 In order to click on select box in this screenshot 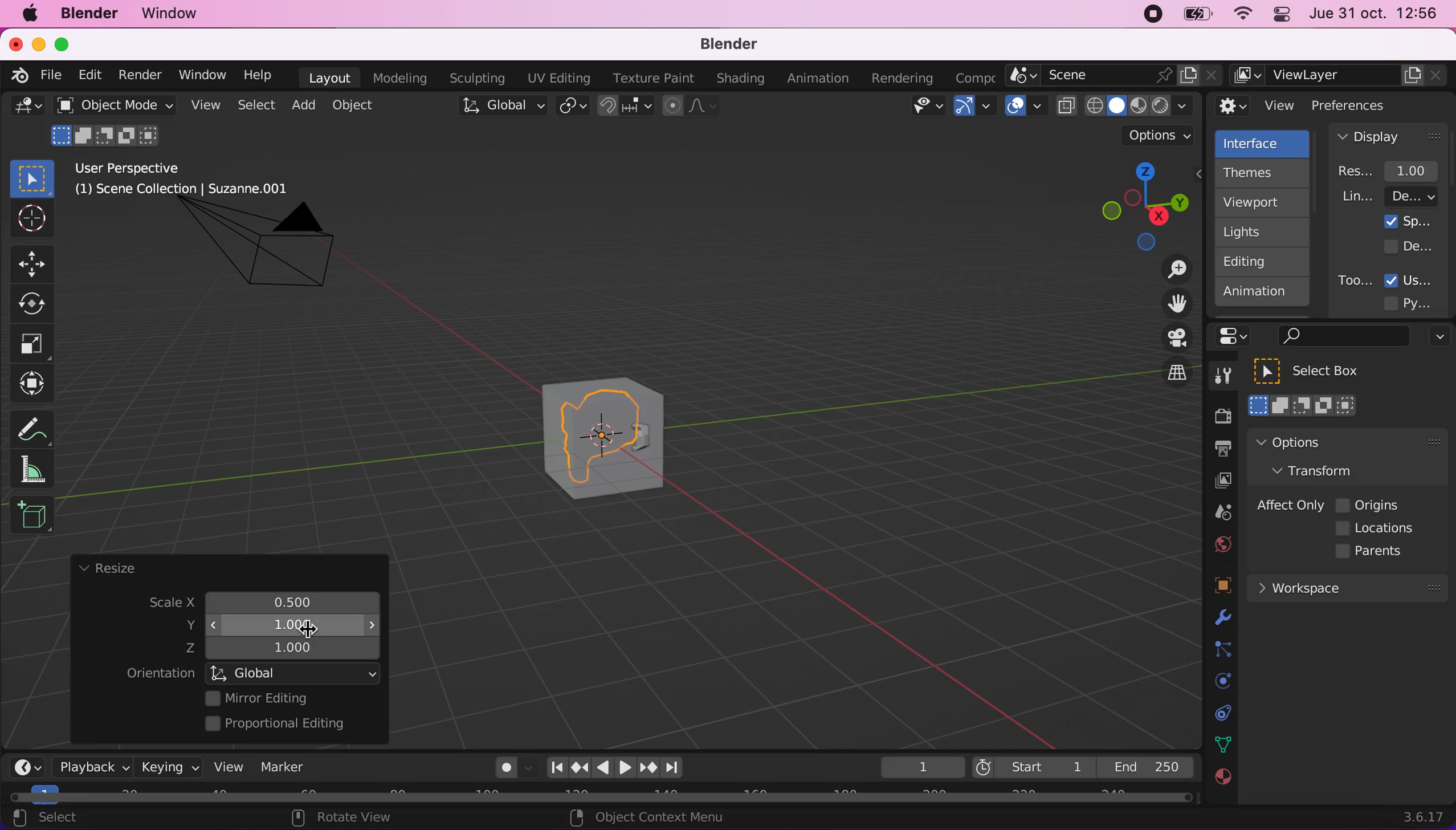, I will do `click(32, 178)`.